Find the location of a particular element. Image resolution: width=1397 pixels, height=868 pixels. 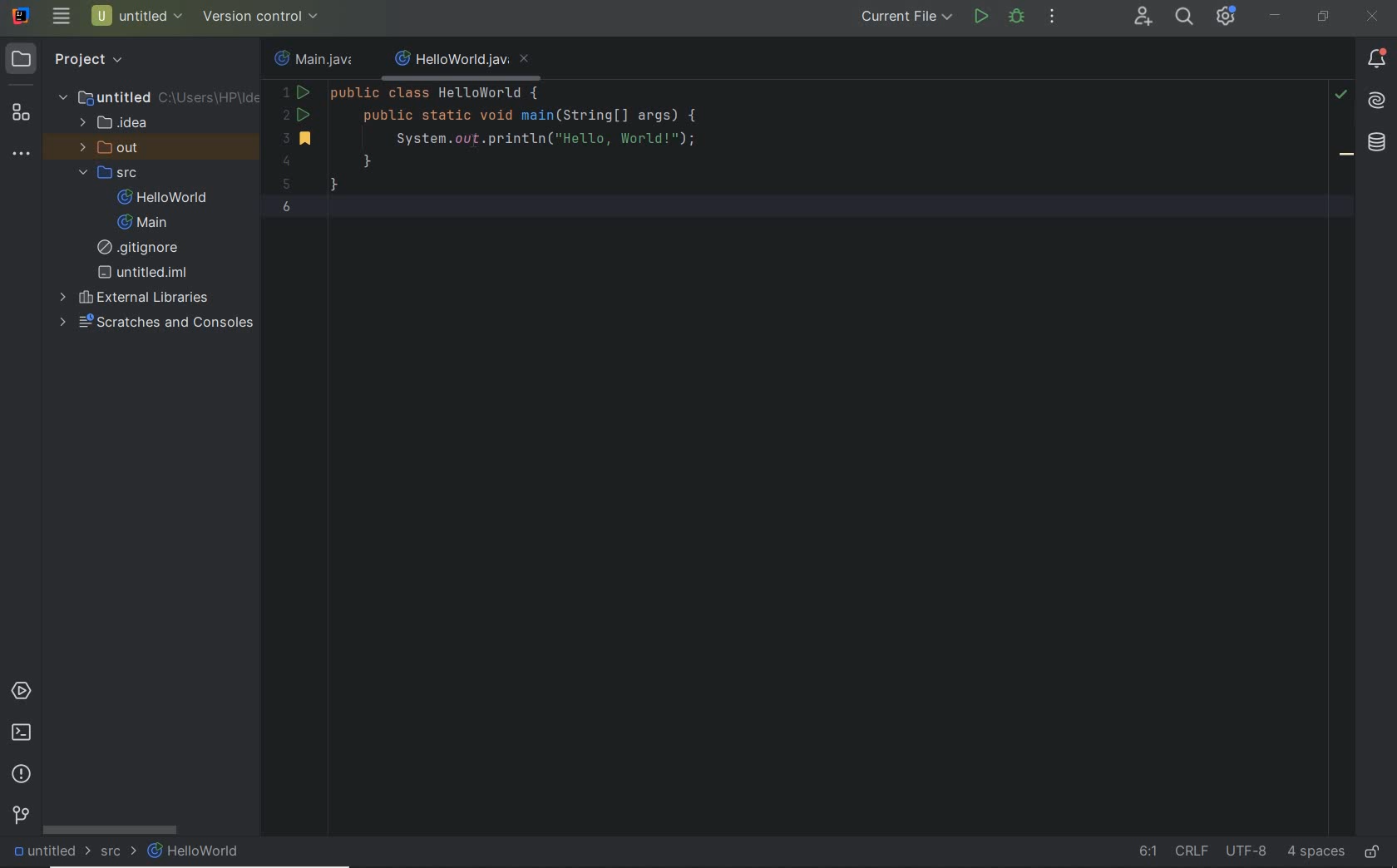

untitled is located at coordinates (137, 16).